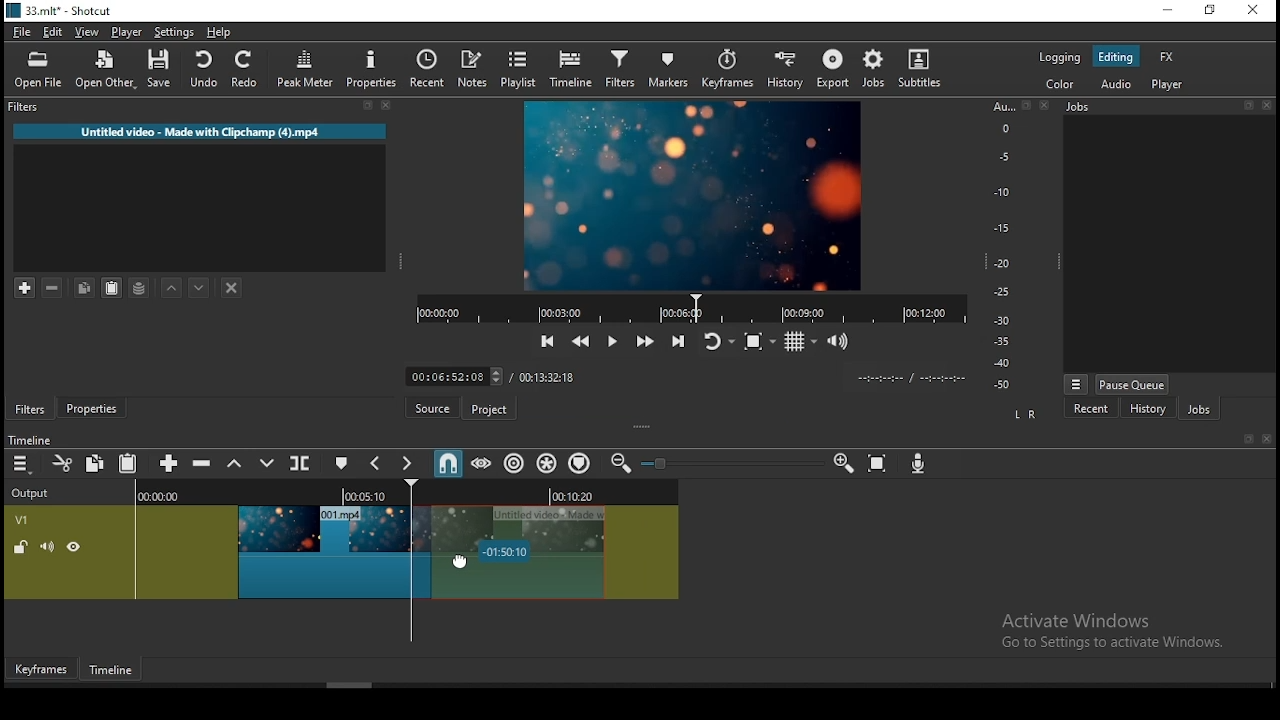  What do you see at coordinates (679, 342) in the screenshot?
I see `skip to next point` at bounding box center [679, 342].